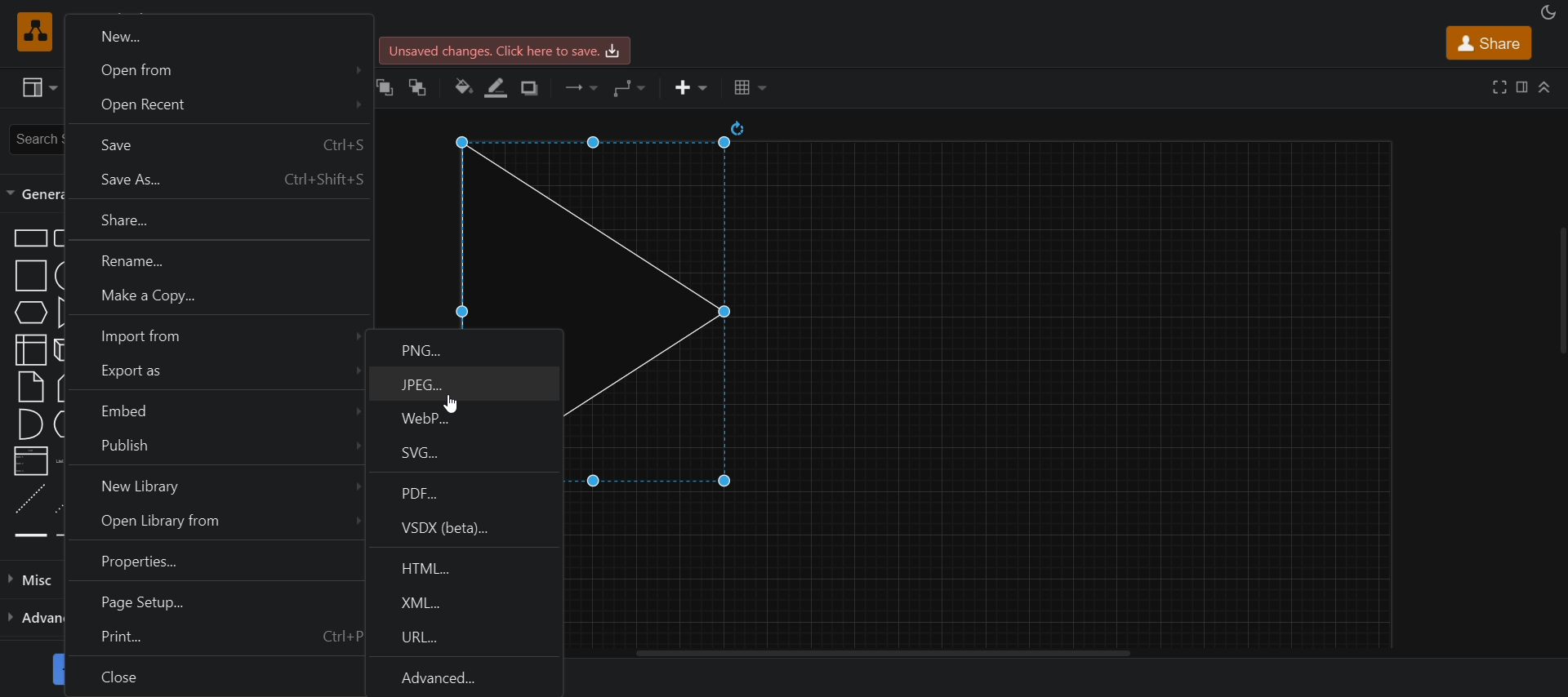  What do you see at coordinates (32, 275) in the screenshot?
I see `square` at bounding box center [32, 275].